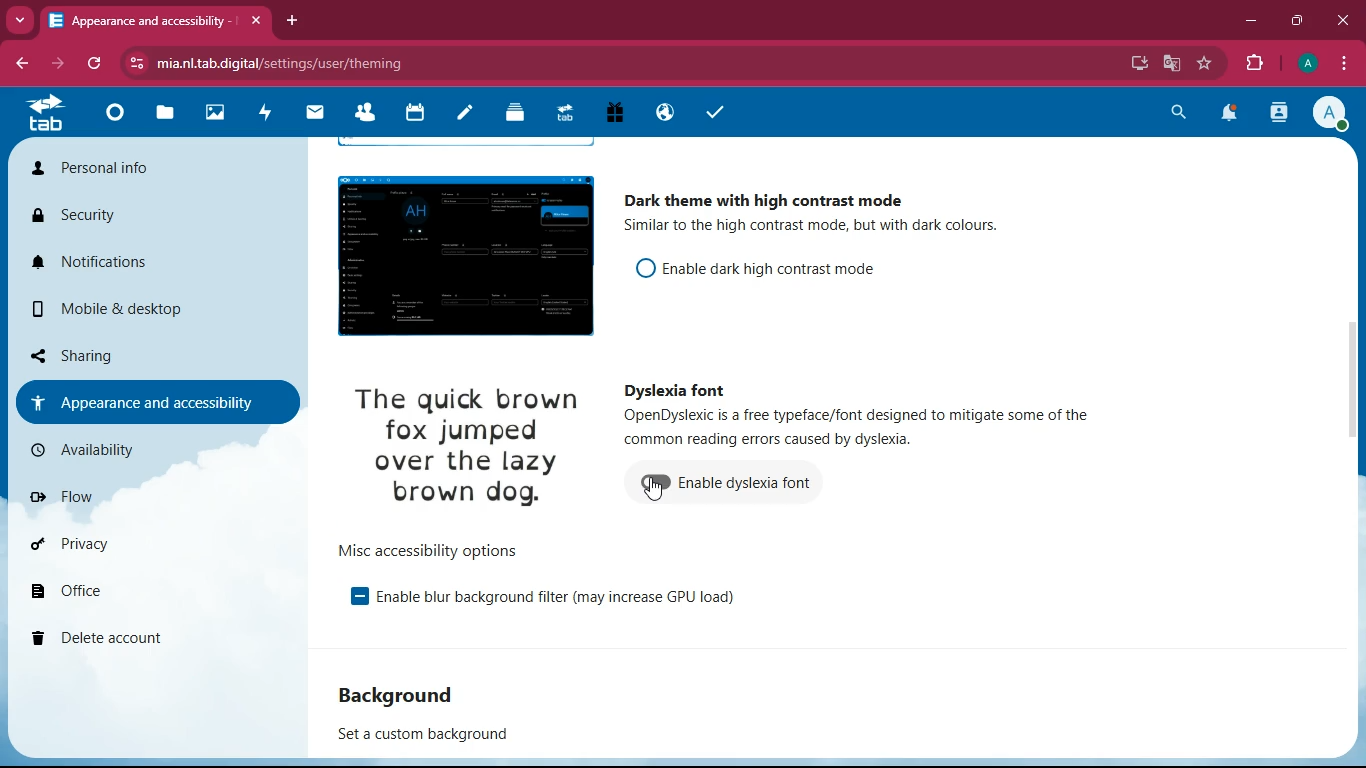  What do you see at coordinates (60, 63) in the screenshot?
I see `forward` at bounding box center [60, 63].